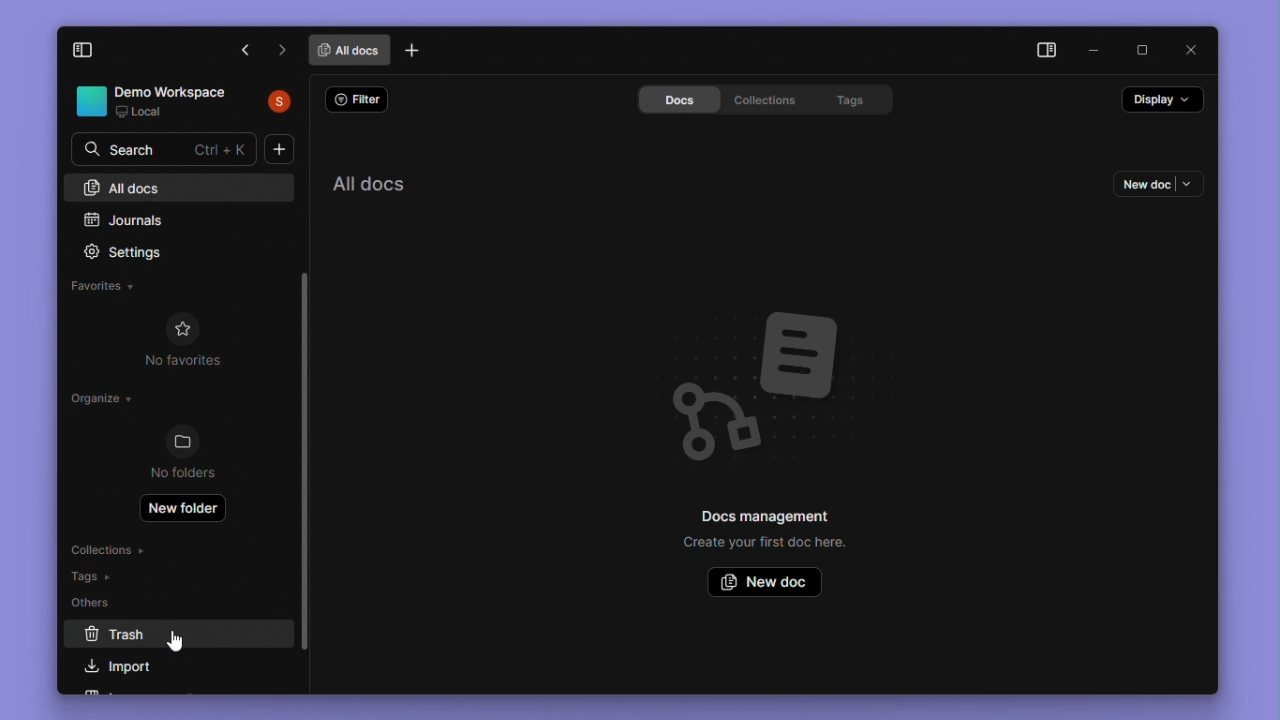 The image size is (1280, 720). I want to click on Minimise, so click(1100, 49).